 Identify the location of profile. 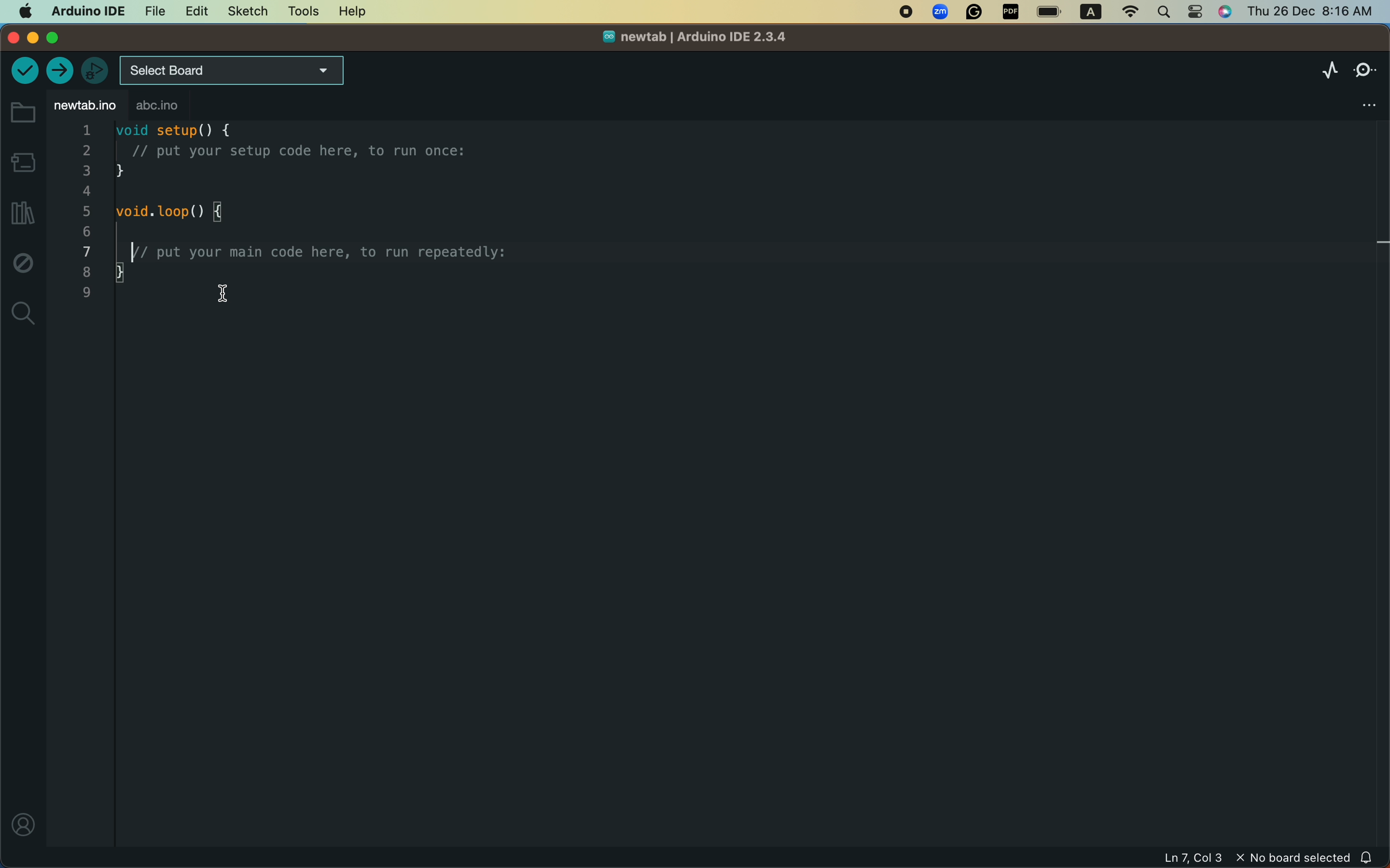
(21, 824).